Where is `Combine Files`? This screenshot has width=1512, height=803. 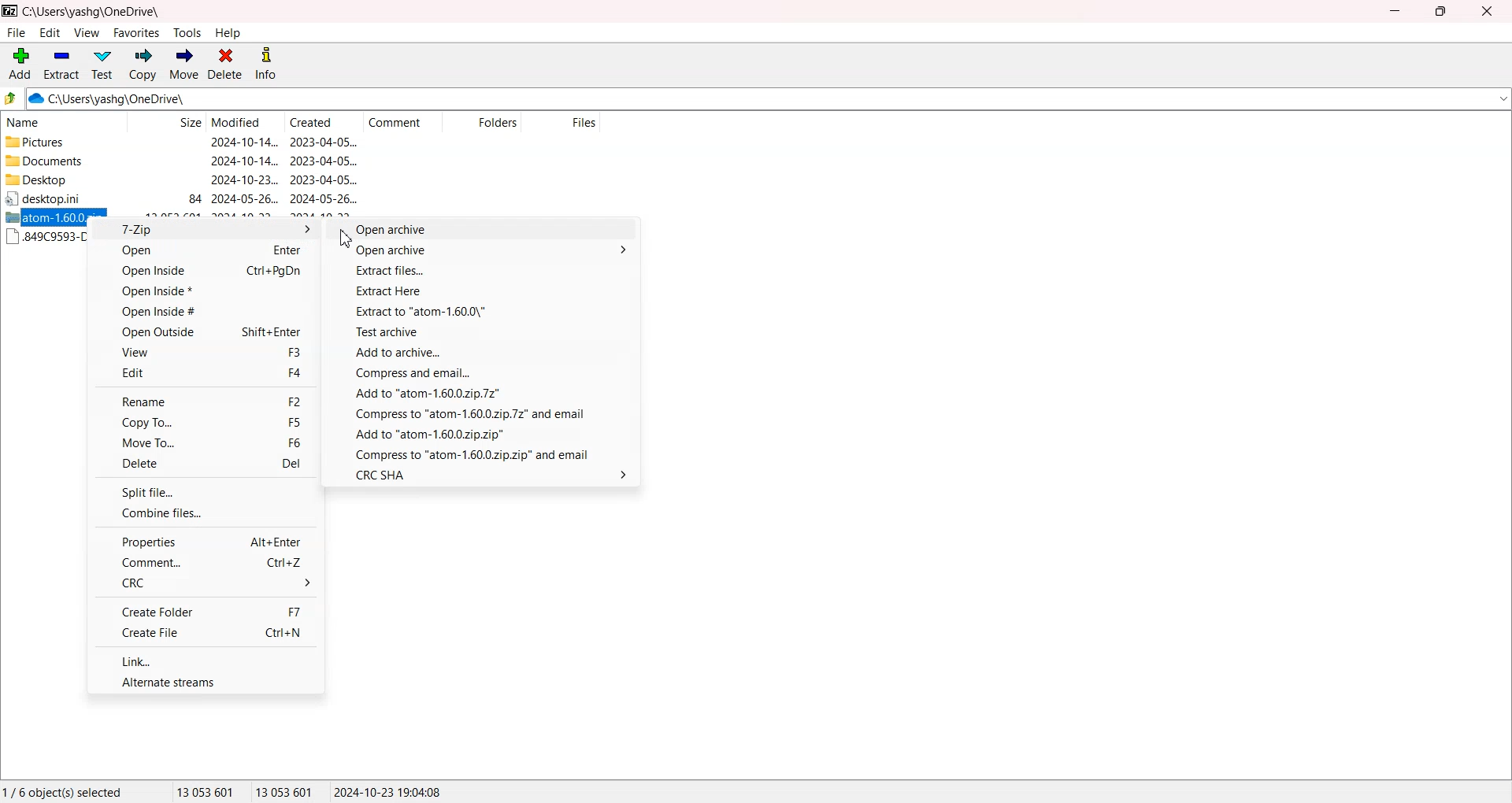 Combine Files is located at coordinates (205, 513).